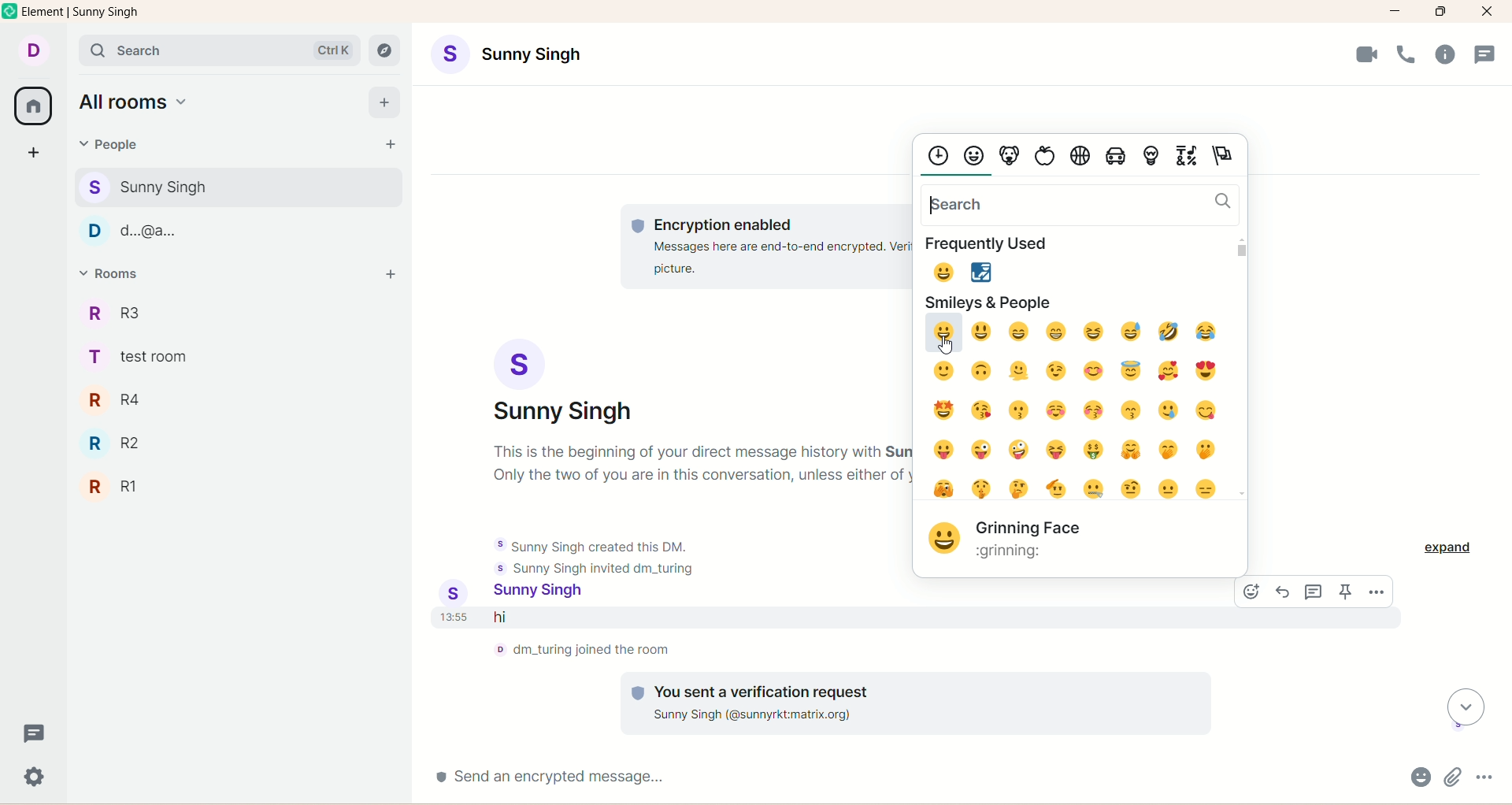  Describe the element at coordinates (136, 101) in the screenshot. I see `all rooms` at that location.